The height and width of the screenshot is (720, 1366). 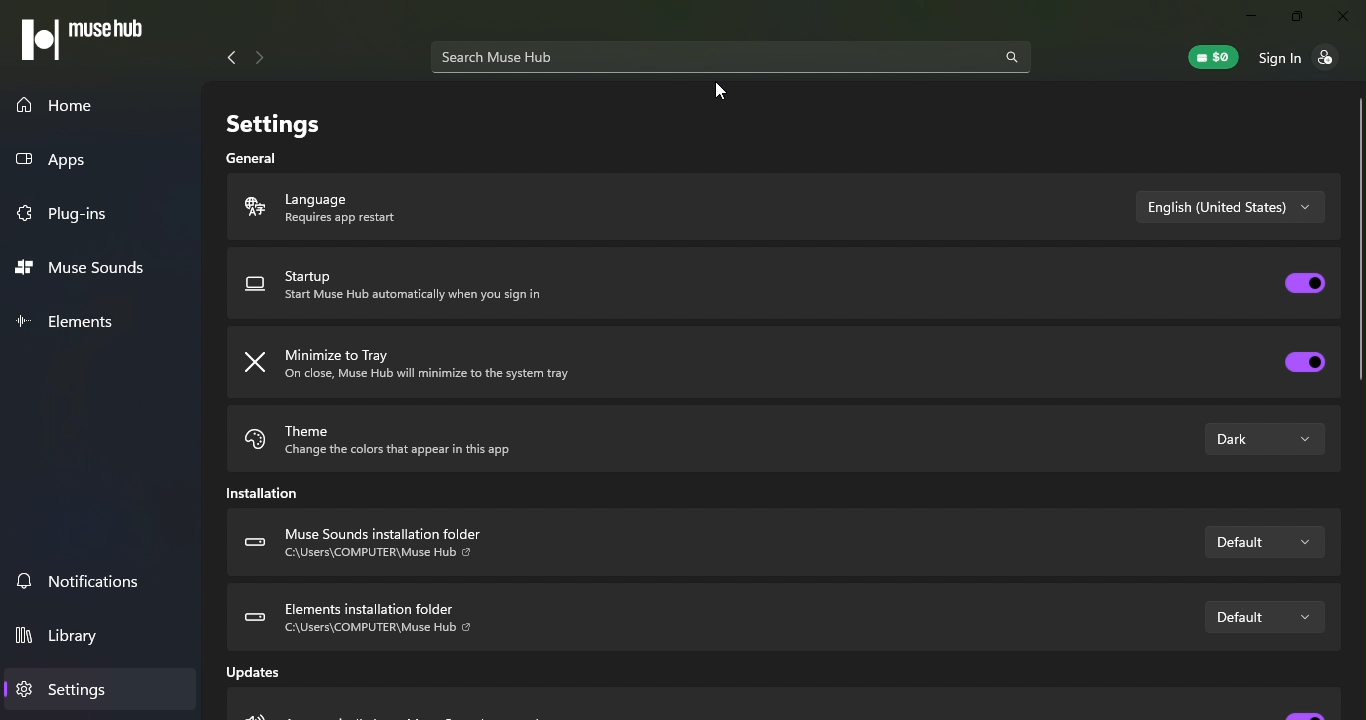 What do you see at coordinates (1231, 208) in the screenshot?
I see `Drop down menu` at bounding box center [1231, 208].